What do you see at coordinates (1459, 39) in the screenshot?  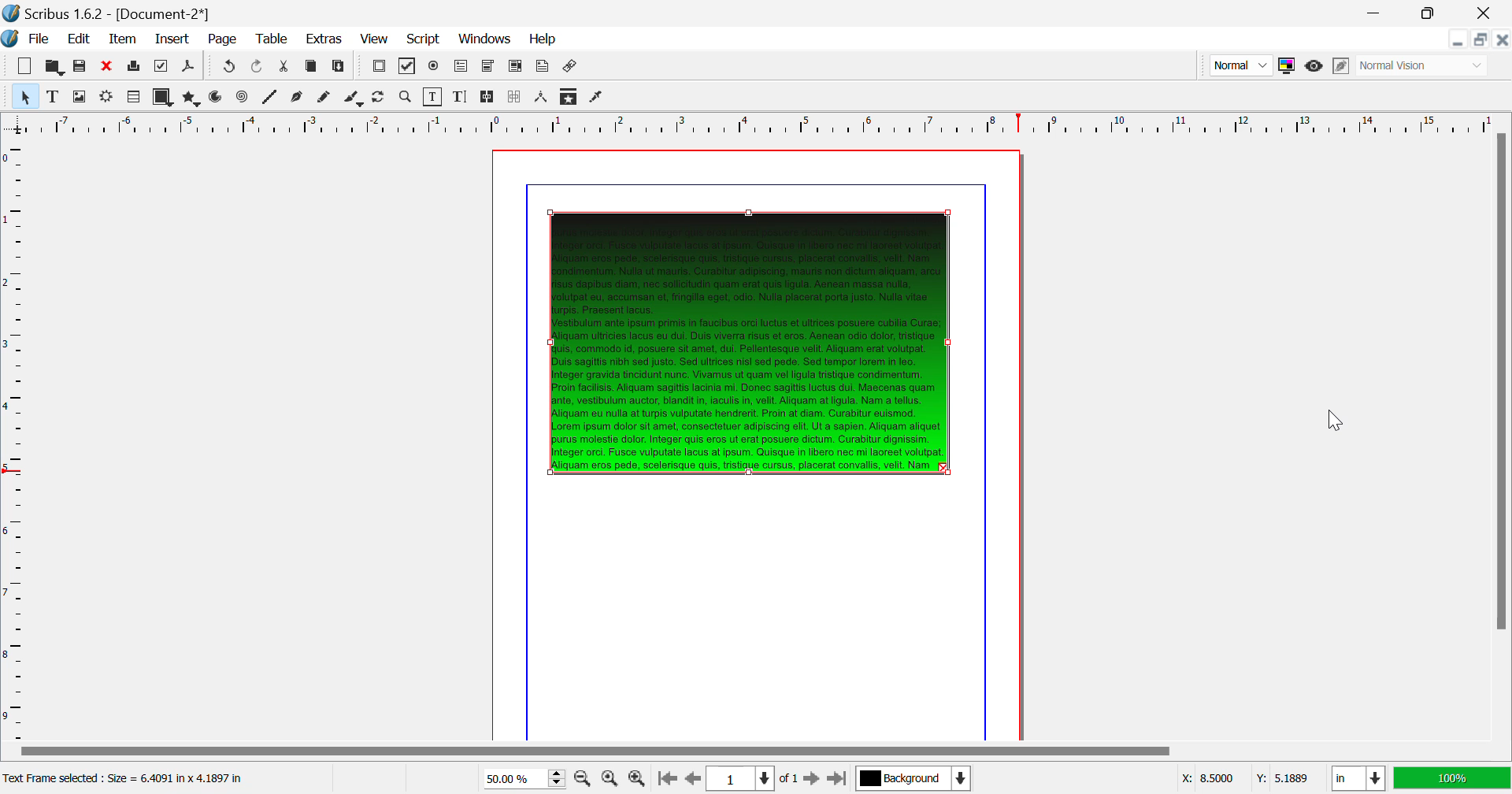 I see `Restore Down` at bounding box center [1459, 39].